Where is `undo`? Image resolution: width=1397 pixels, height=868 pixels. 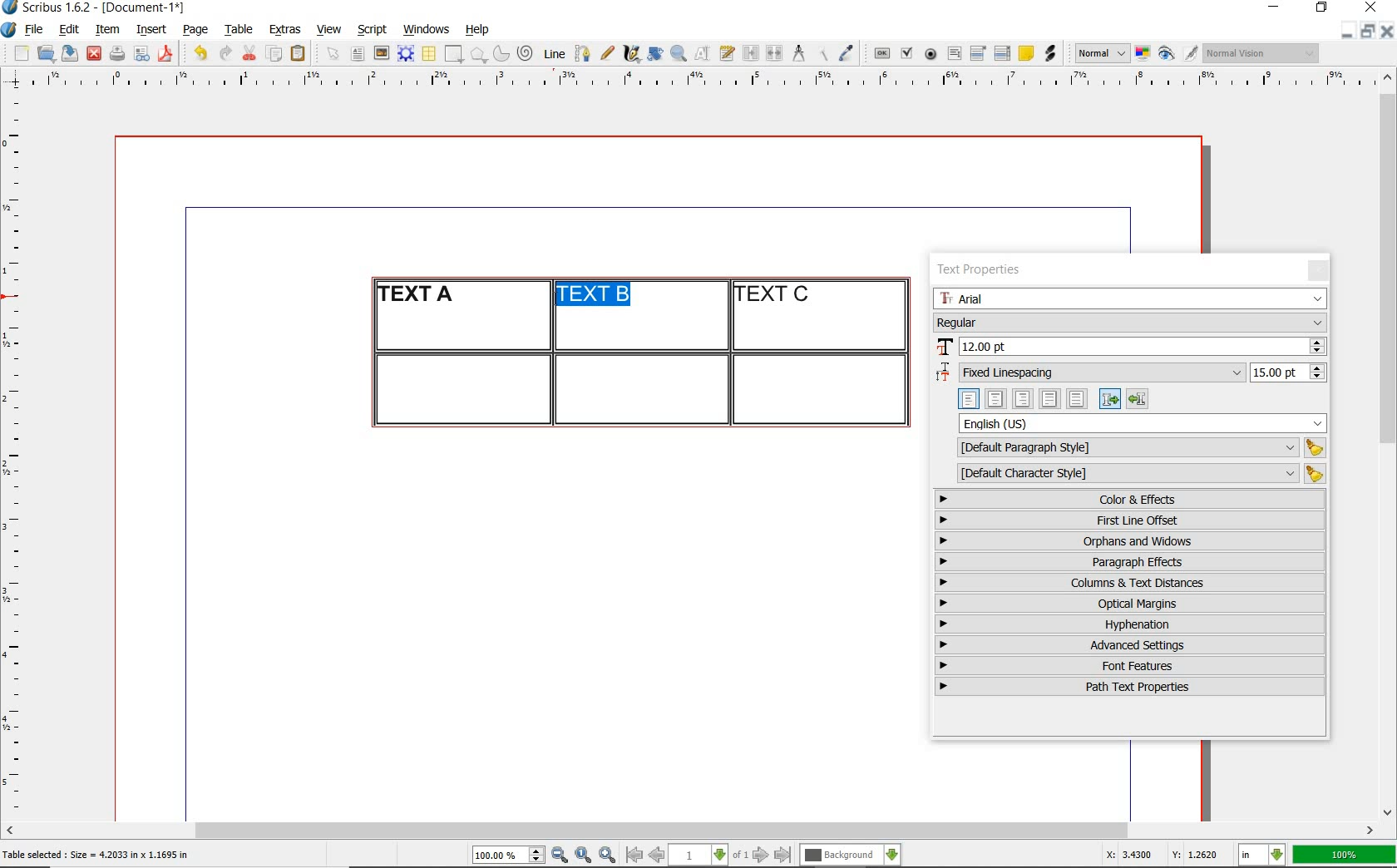 undo is located at coordinates (200, 53).